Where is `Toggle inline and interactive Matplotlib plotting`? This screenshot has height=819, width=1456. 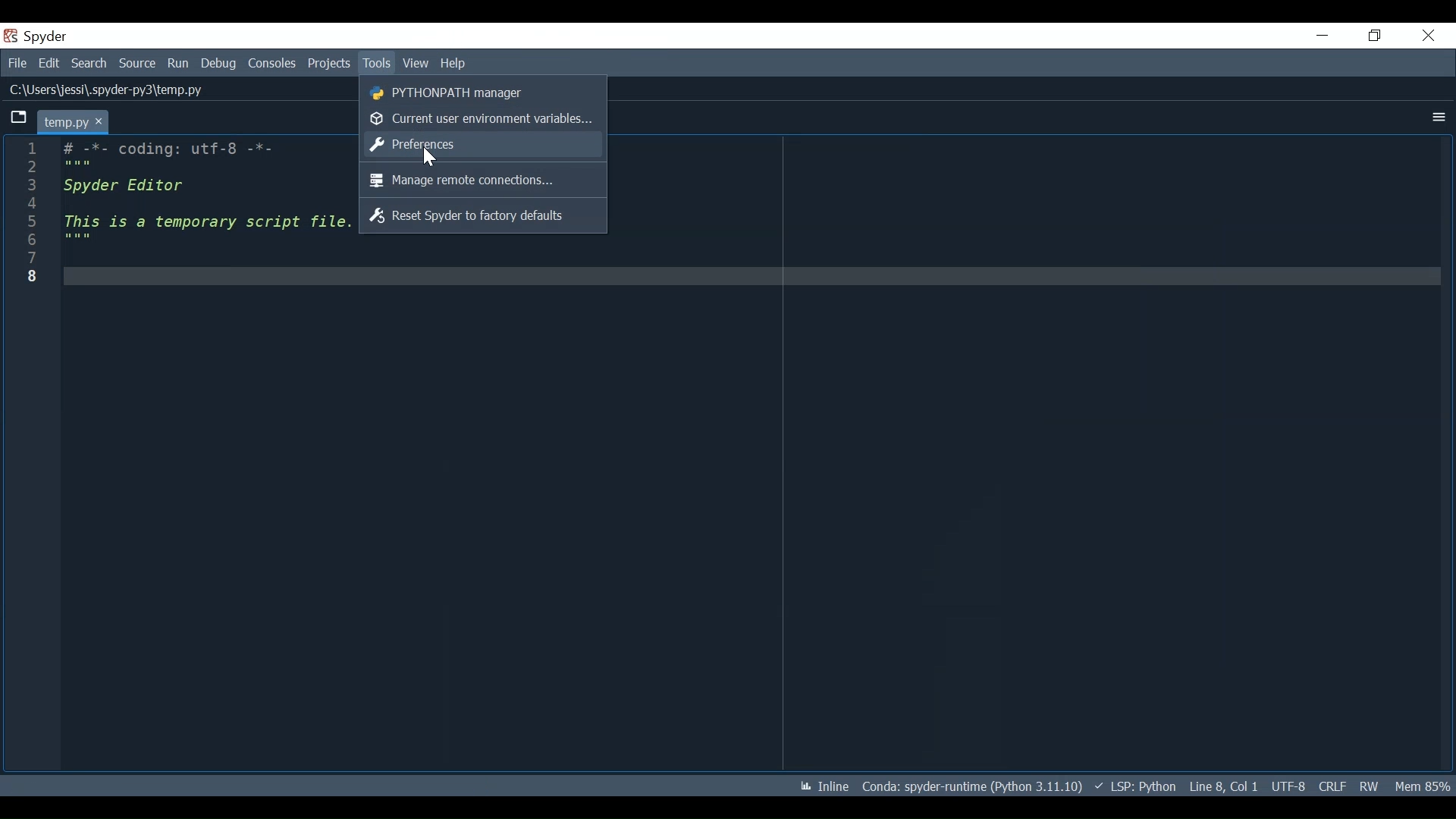
Toggle inline and interactive Matplotlib plotting is located at coordinates (824, 786).